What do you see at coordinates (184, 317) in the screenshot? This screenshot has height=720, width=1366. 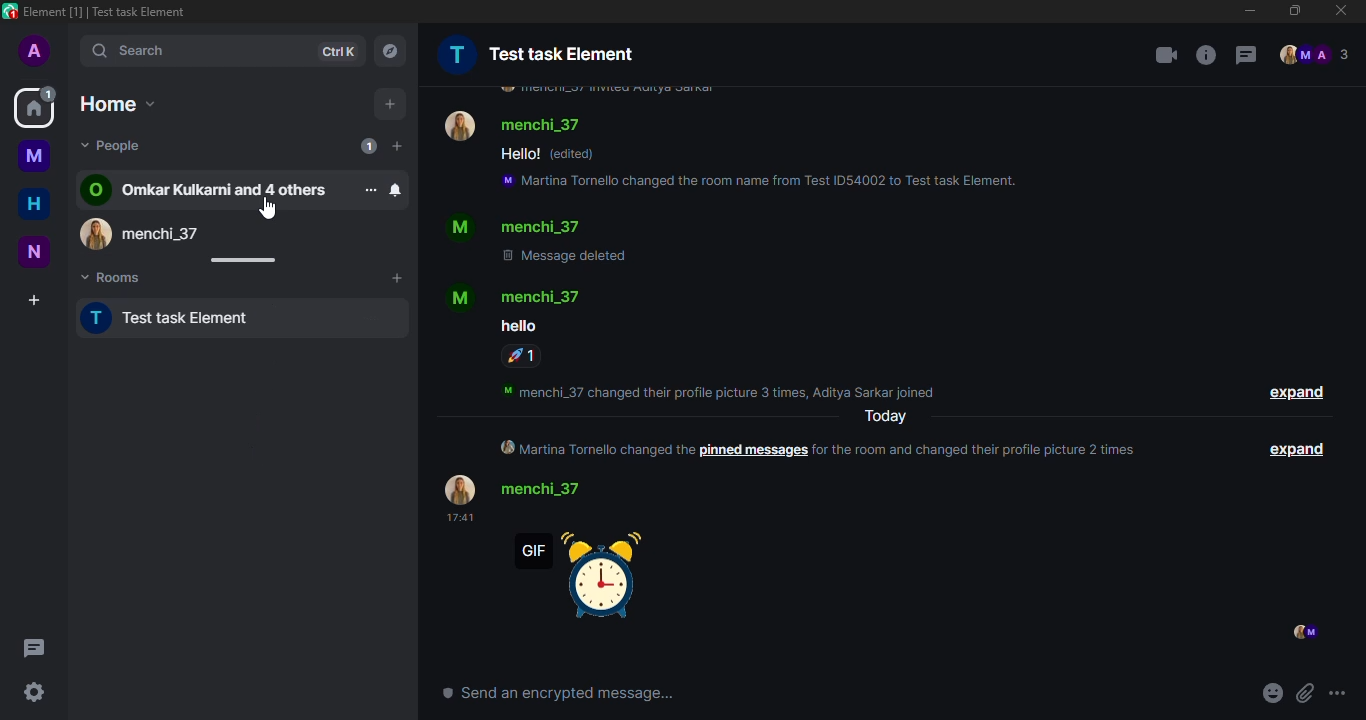 I see `test task element` at bounding box center [184, 317].